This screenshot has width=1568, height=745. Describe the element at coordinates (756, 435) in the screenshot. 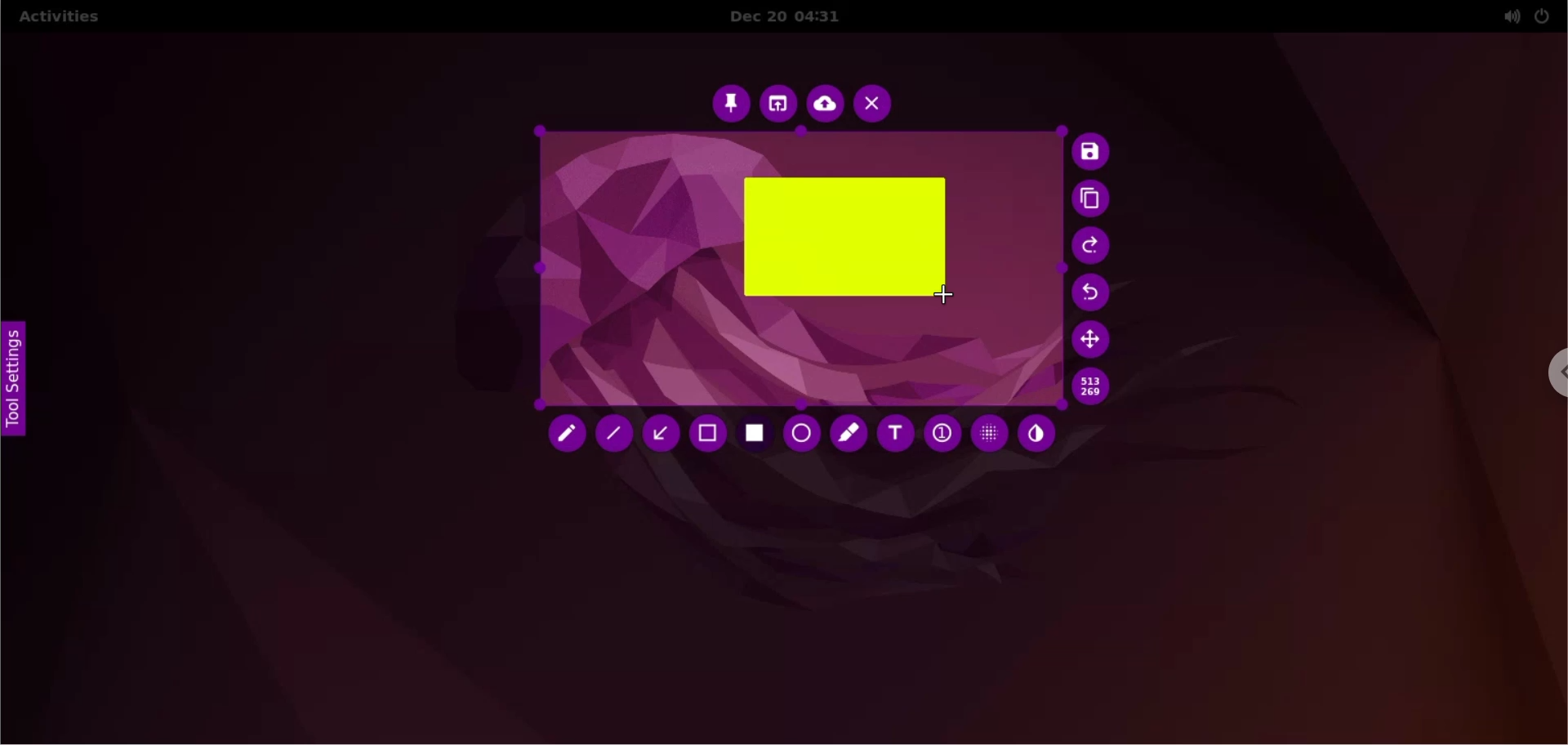

I see `rectangle tool` at that location.